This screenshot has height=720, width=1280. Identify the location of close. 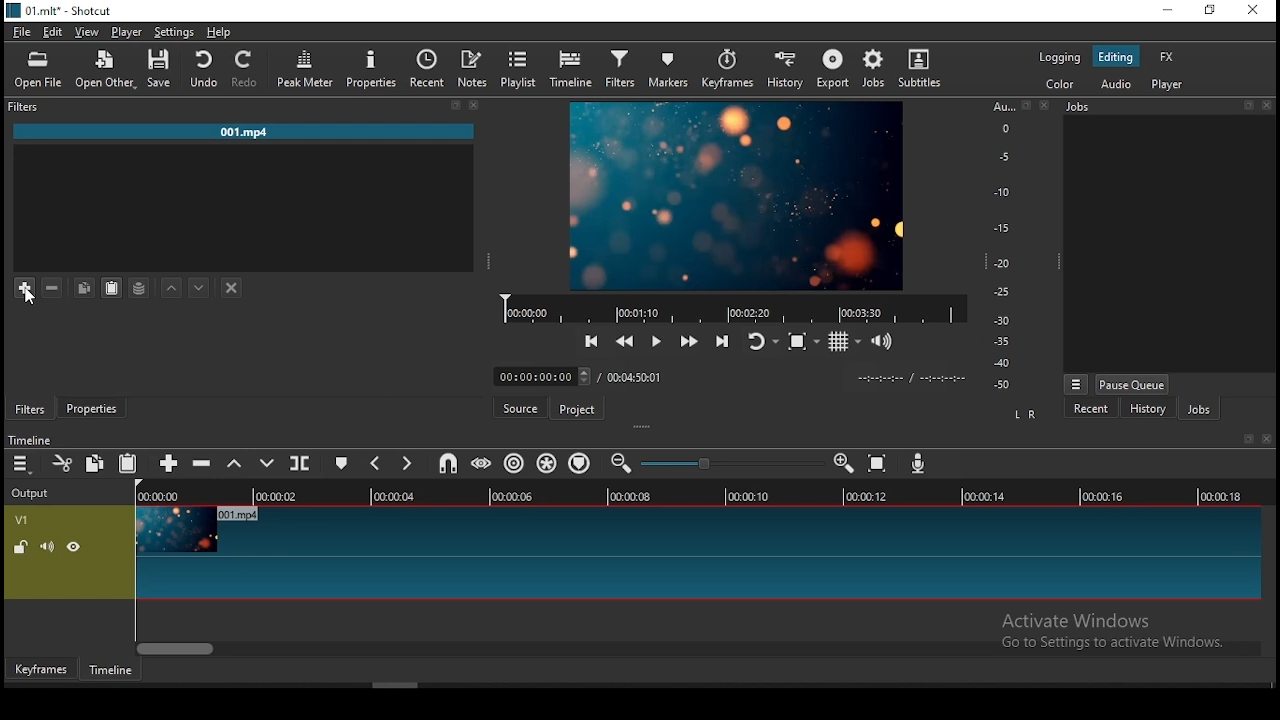
(1270, 105).